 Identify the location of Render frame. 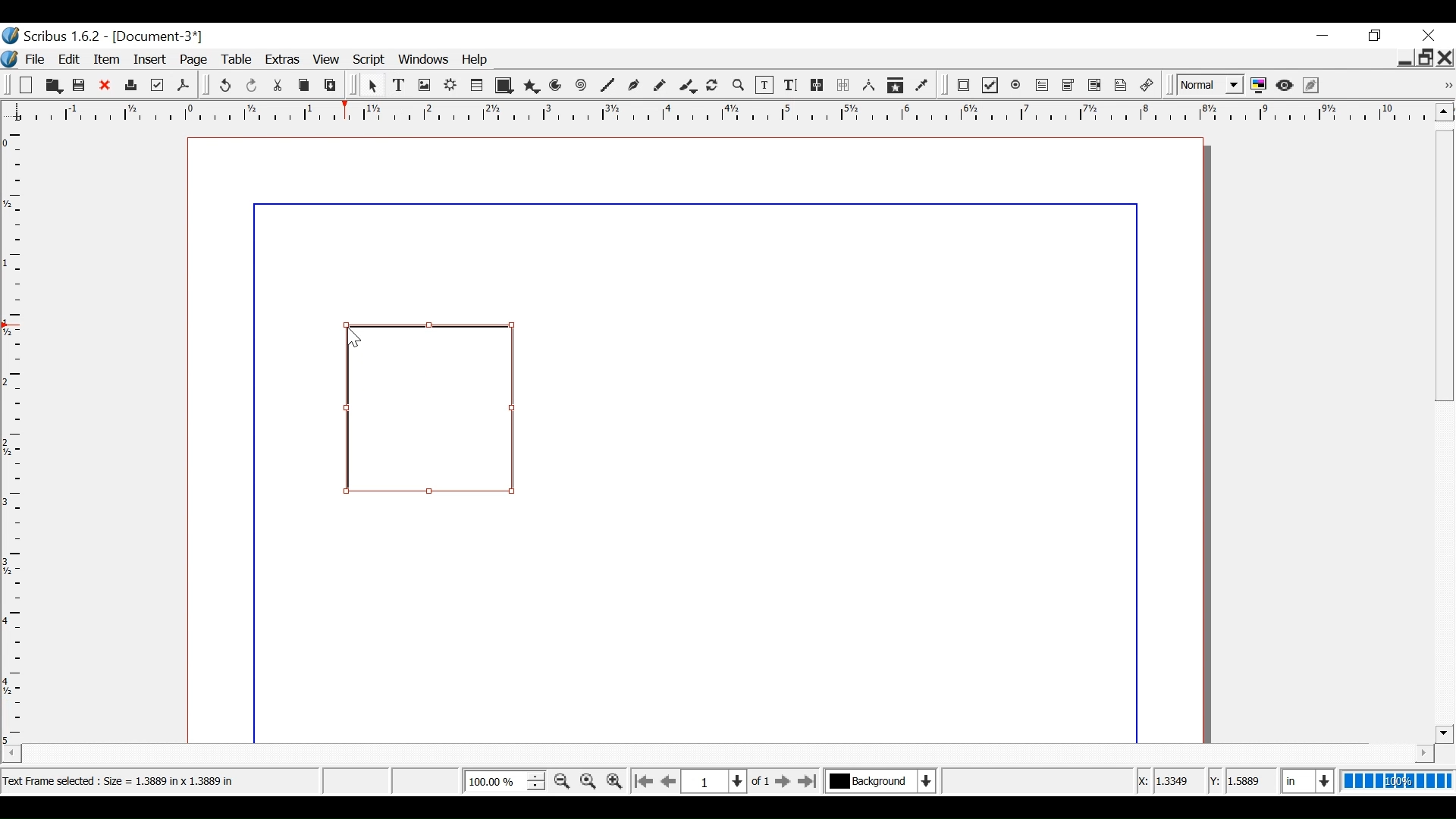
(451, 86).